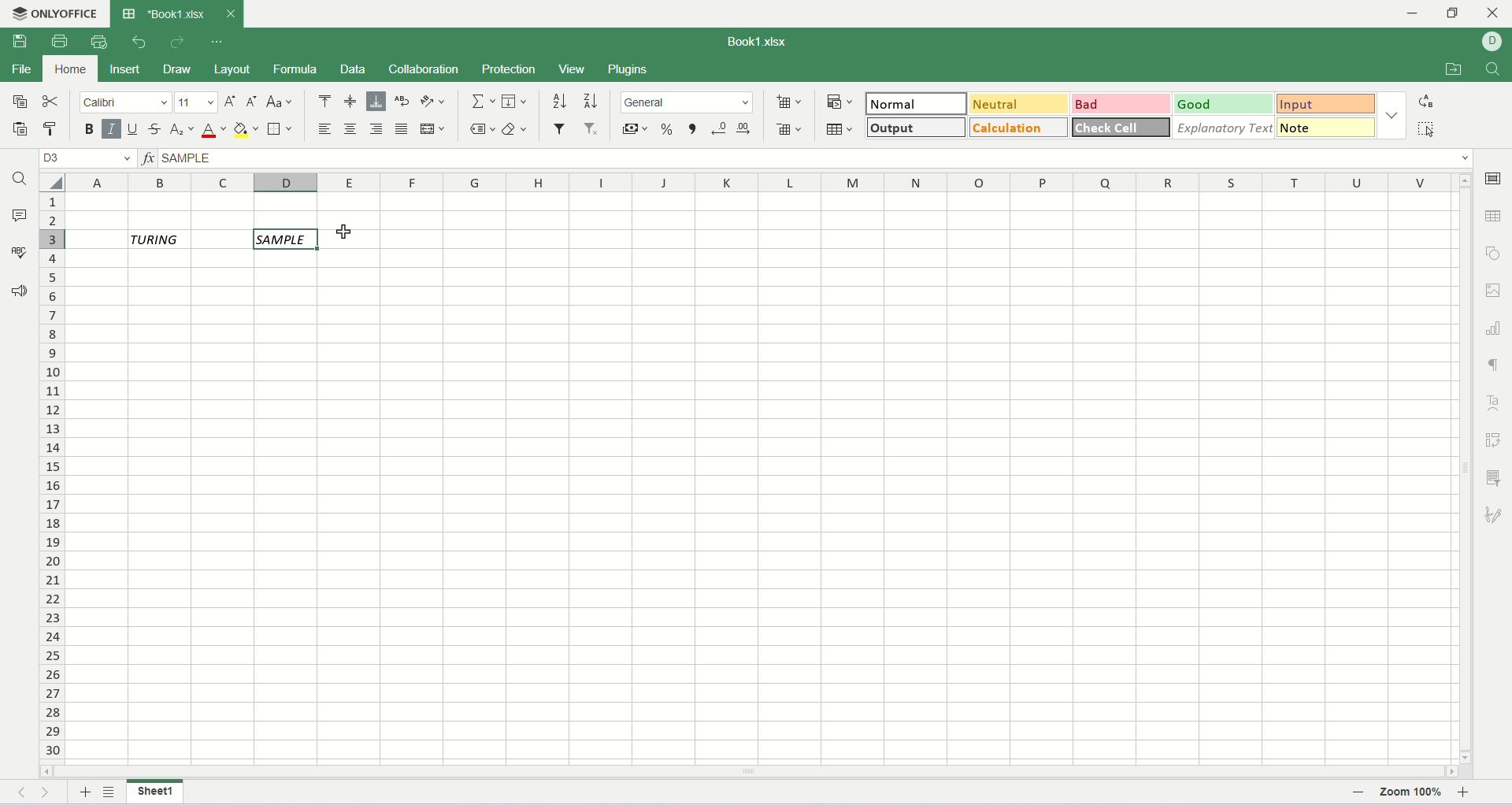 The height and width of the screenshot is (805, 1512). What do you see at coordinates (402, 128) in the screenshot?
I see `justified` at bounding box center [402, 128].